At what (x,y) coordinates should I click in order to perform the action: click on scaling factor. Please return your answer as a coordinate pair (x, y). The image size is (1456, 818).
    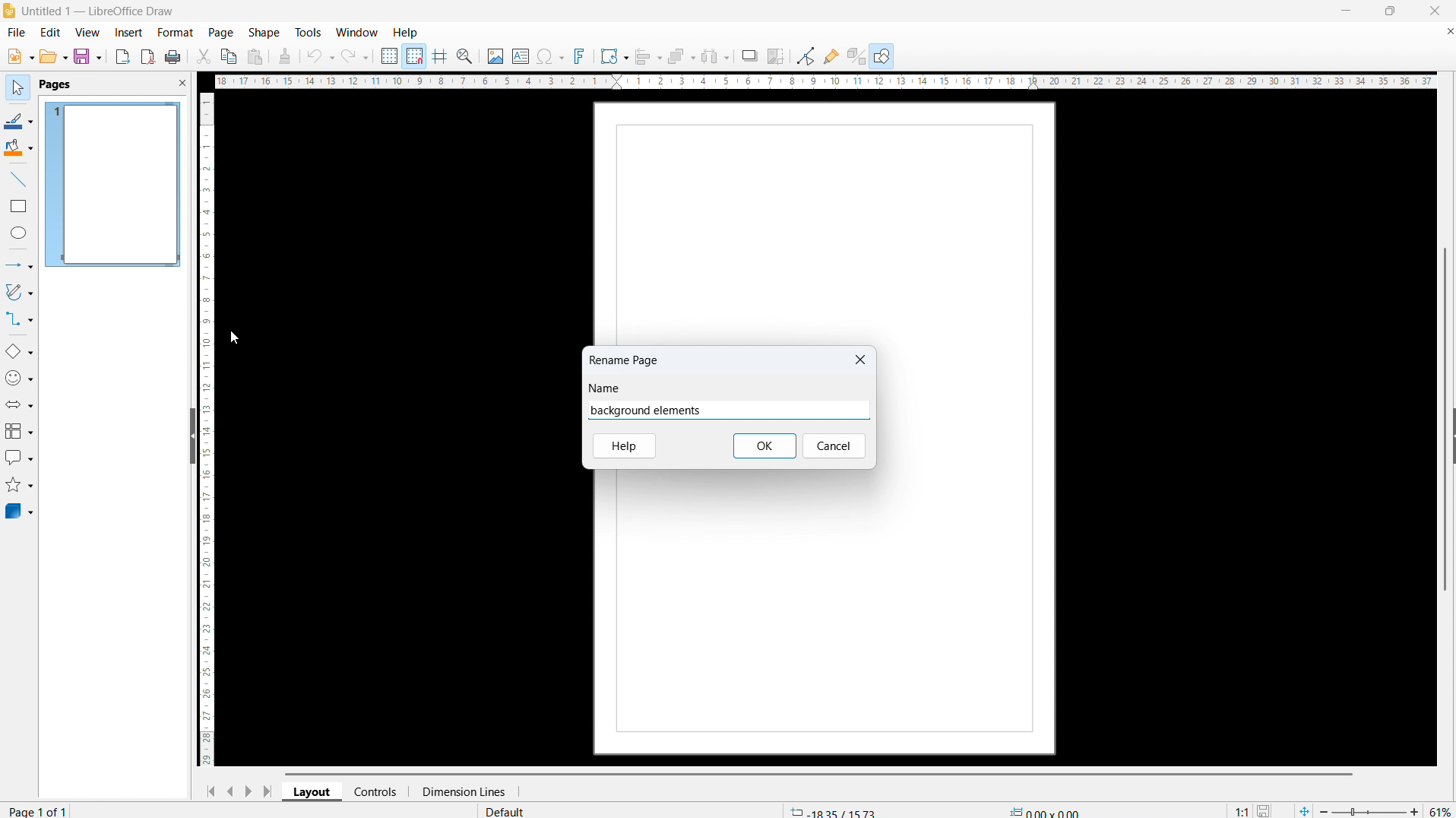
    Looking at the image, I should click on (1242, 809).